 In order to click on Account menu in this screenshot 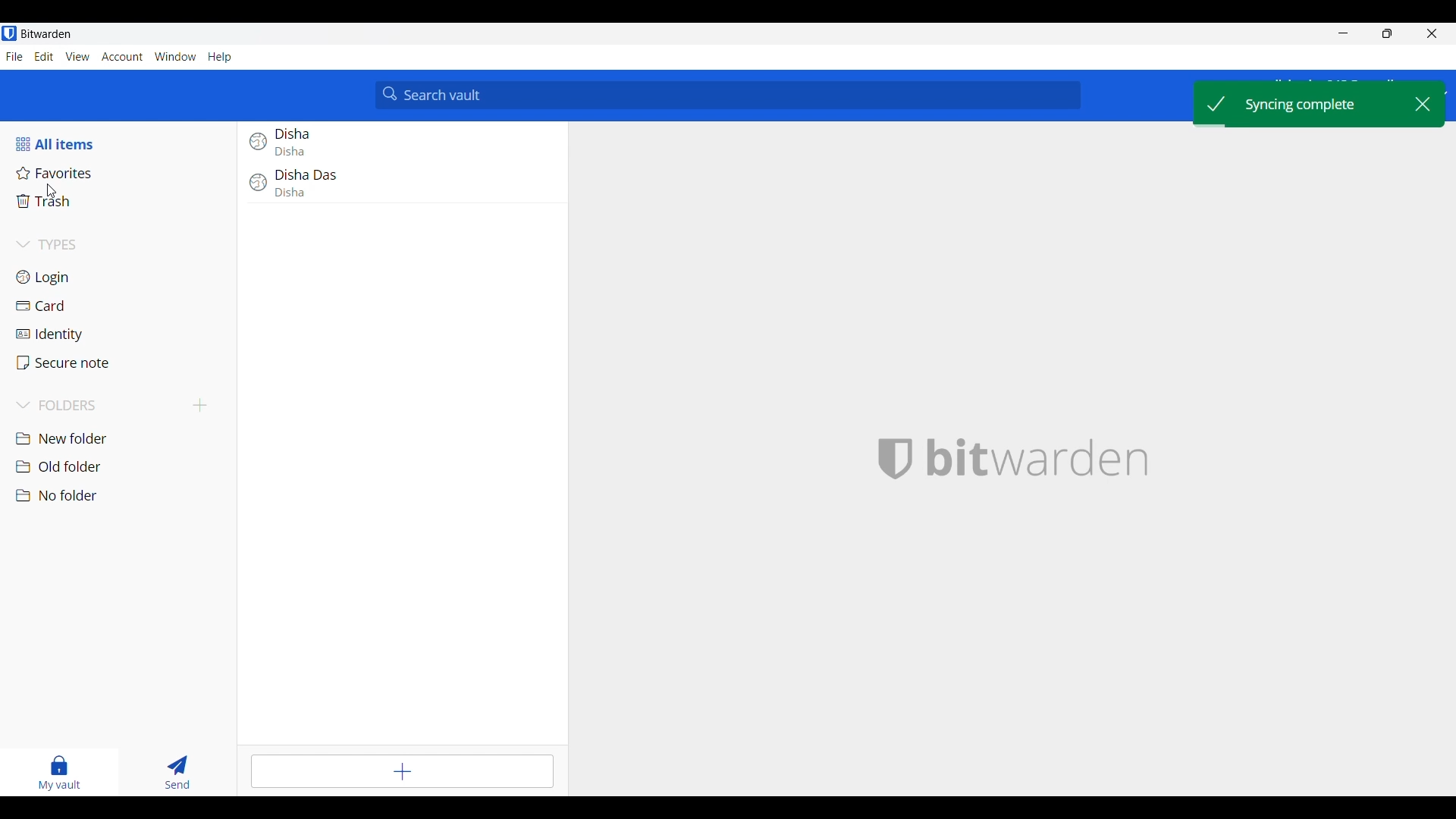, I will do `click(122, 57)`.